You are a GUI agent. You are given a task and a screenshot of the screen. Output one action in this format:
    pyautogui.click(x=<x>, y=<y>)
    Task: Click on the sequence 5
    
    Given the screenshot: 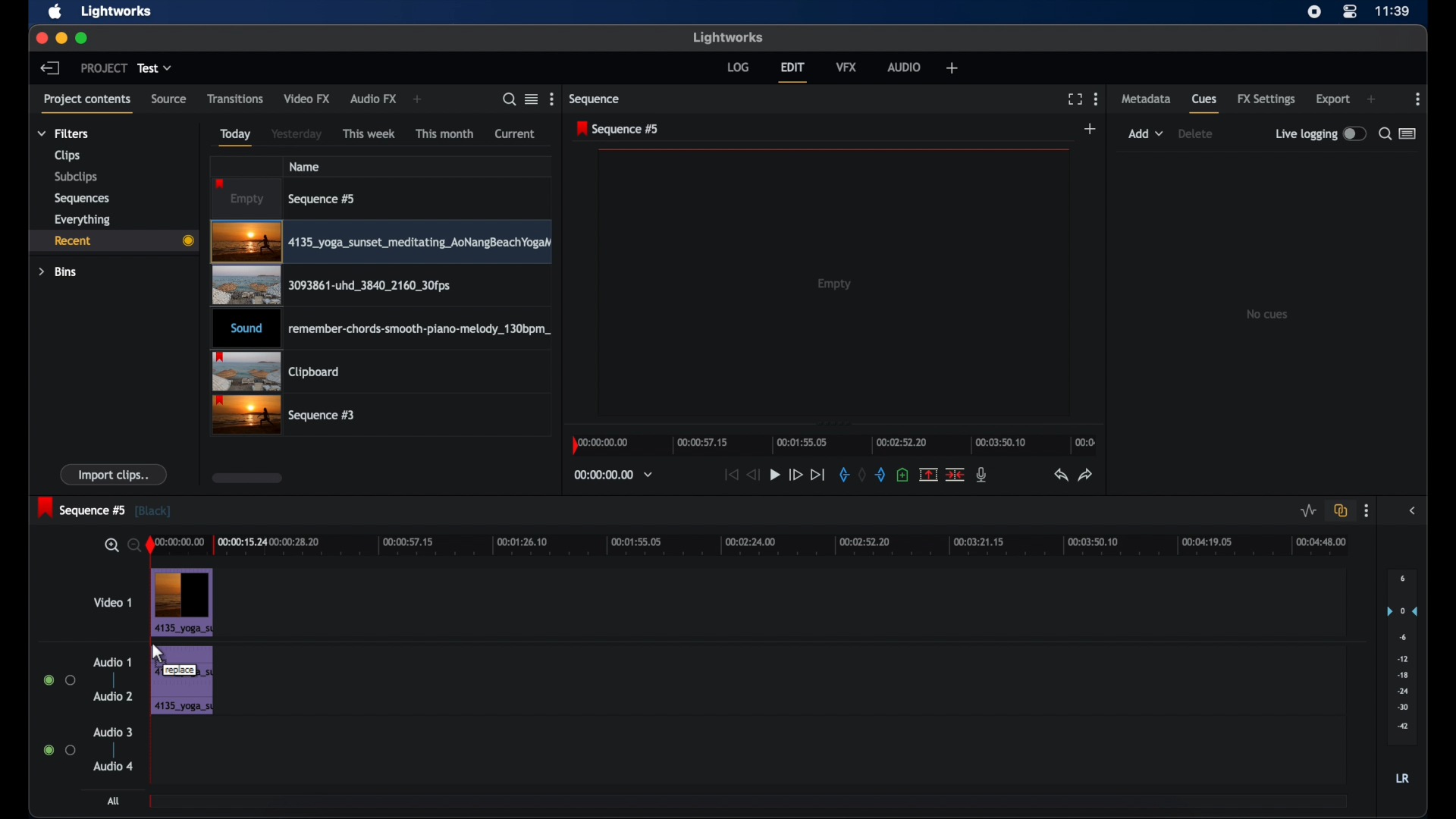 What is the action you would take?
    pyautogui.click(x=618, y=129)
    